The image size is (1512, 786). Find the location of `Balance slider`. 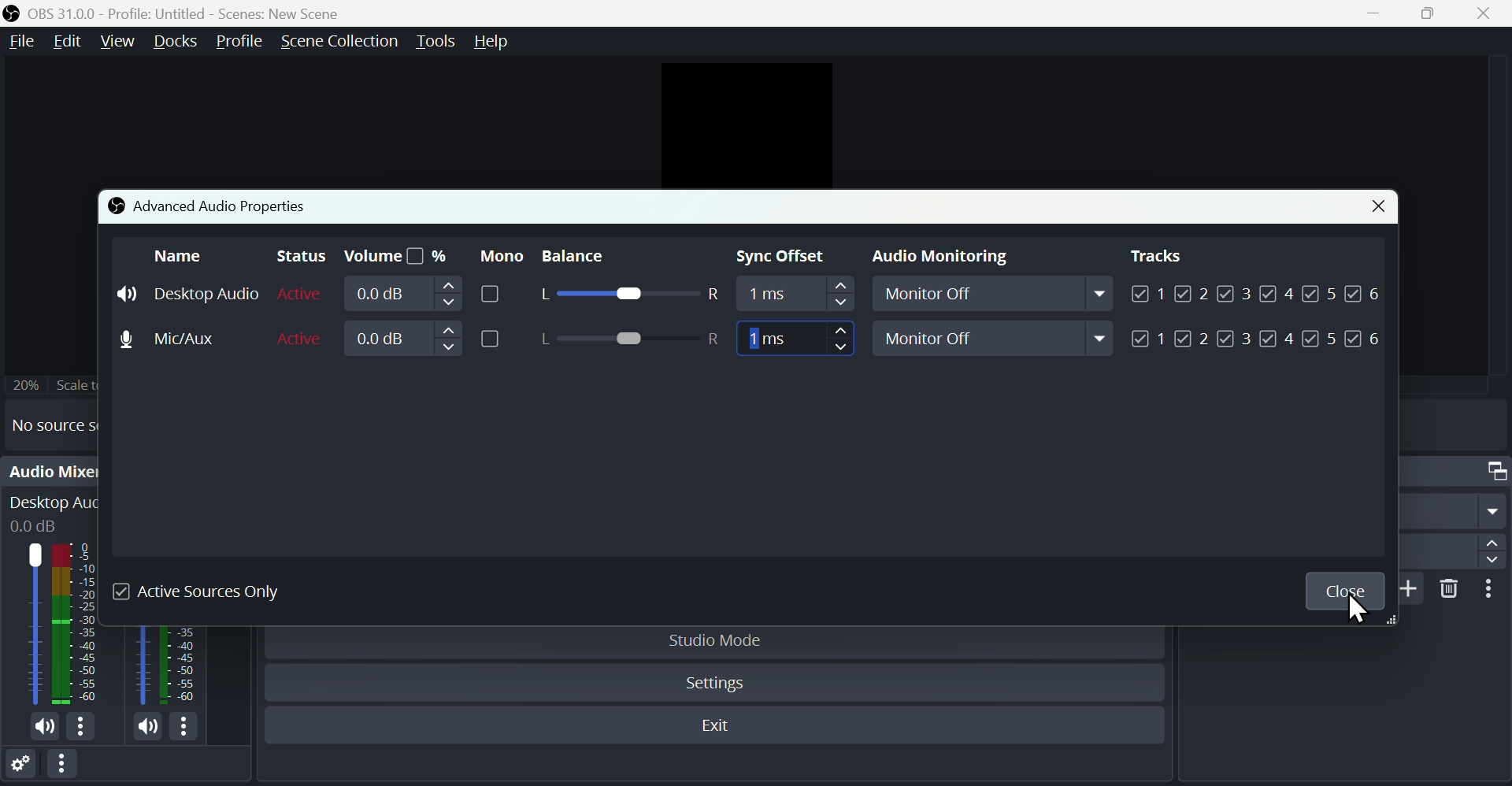

Balance slider is located at coordinates (628, 339).